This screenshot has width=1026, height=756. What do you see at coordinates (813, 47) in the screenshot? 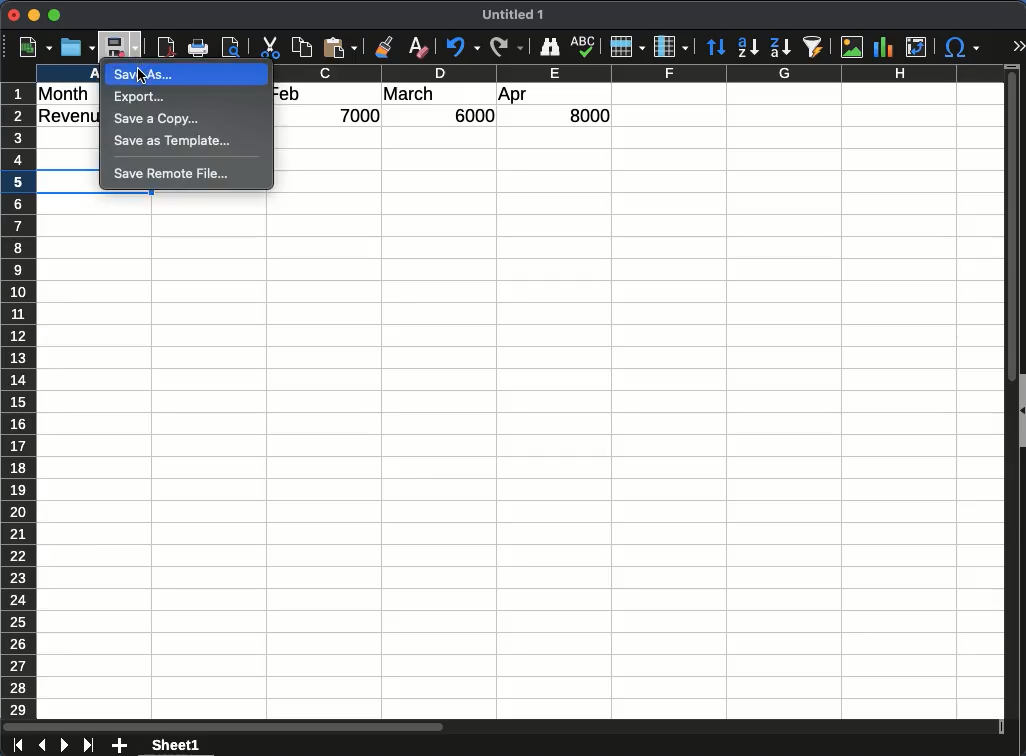
I see `autofilter` at bounding box center [813, 47].